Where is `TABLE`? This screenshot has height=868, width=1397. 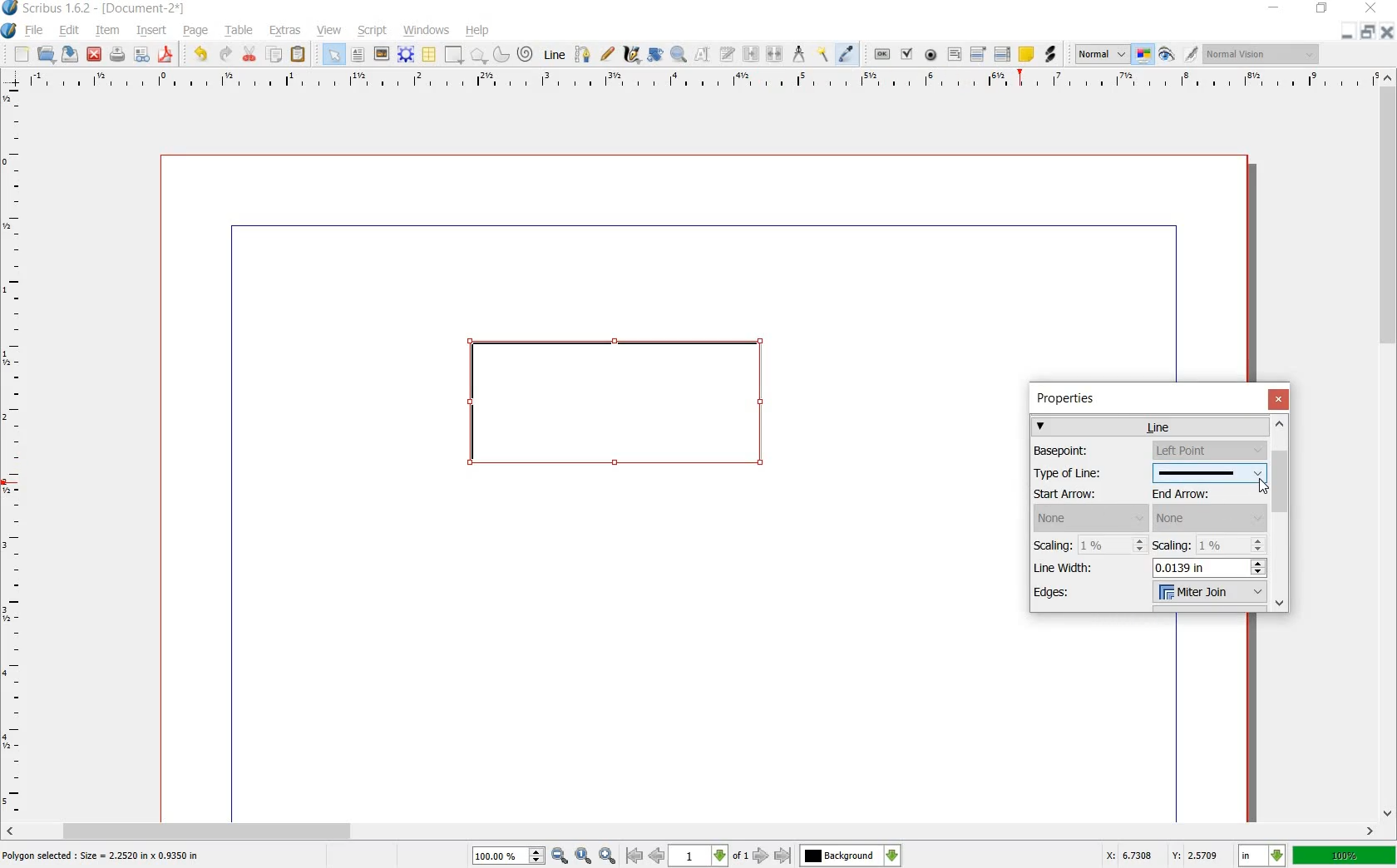
TABLE is located at coordinates (430, 55).